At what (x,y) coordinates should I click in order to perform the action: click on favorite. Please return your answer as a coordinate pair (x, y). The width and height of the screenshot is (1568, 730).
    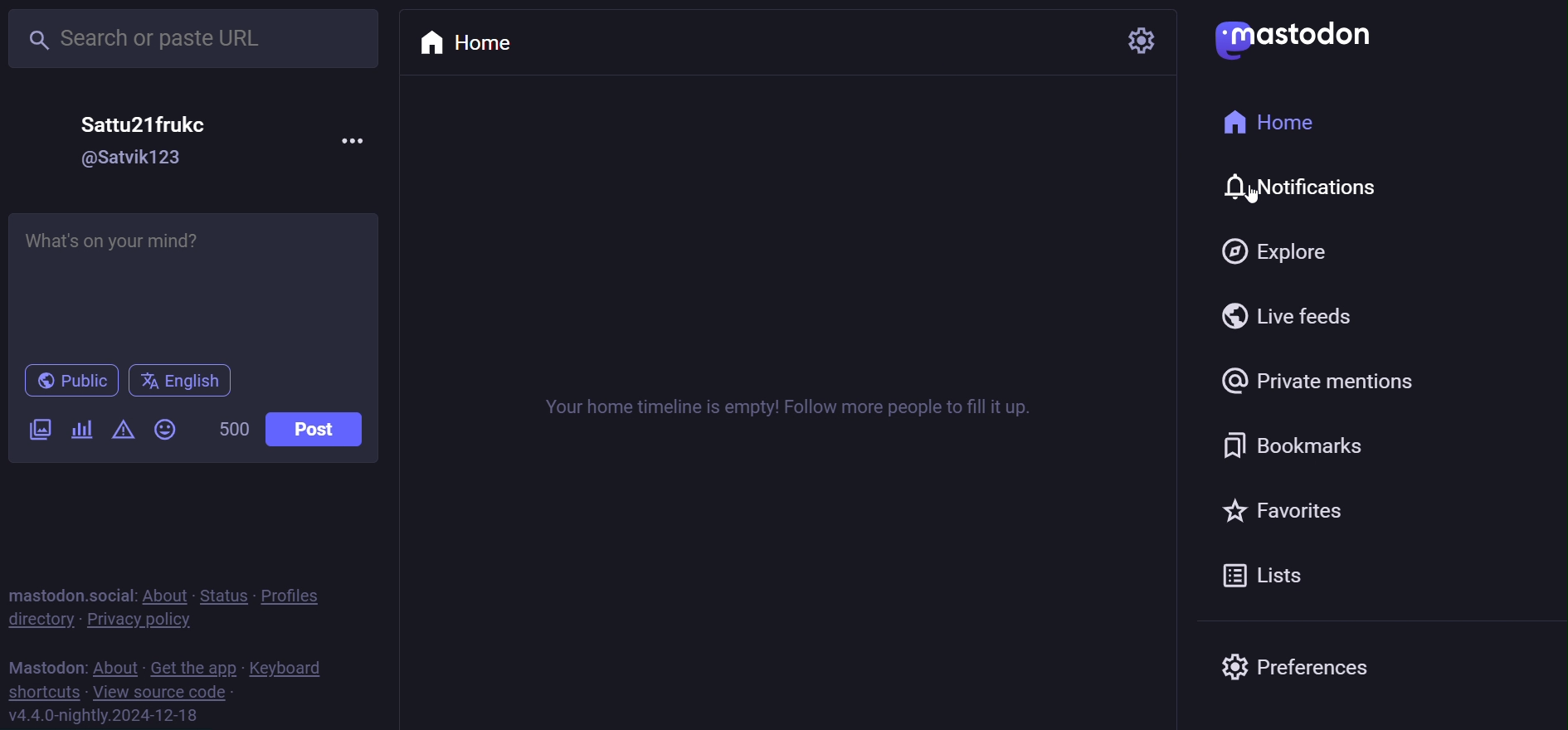
    Looking at the image, I should click on (1287, 509).